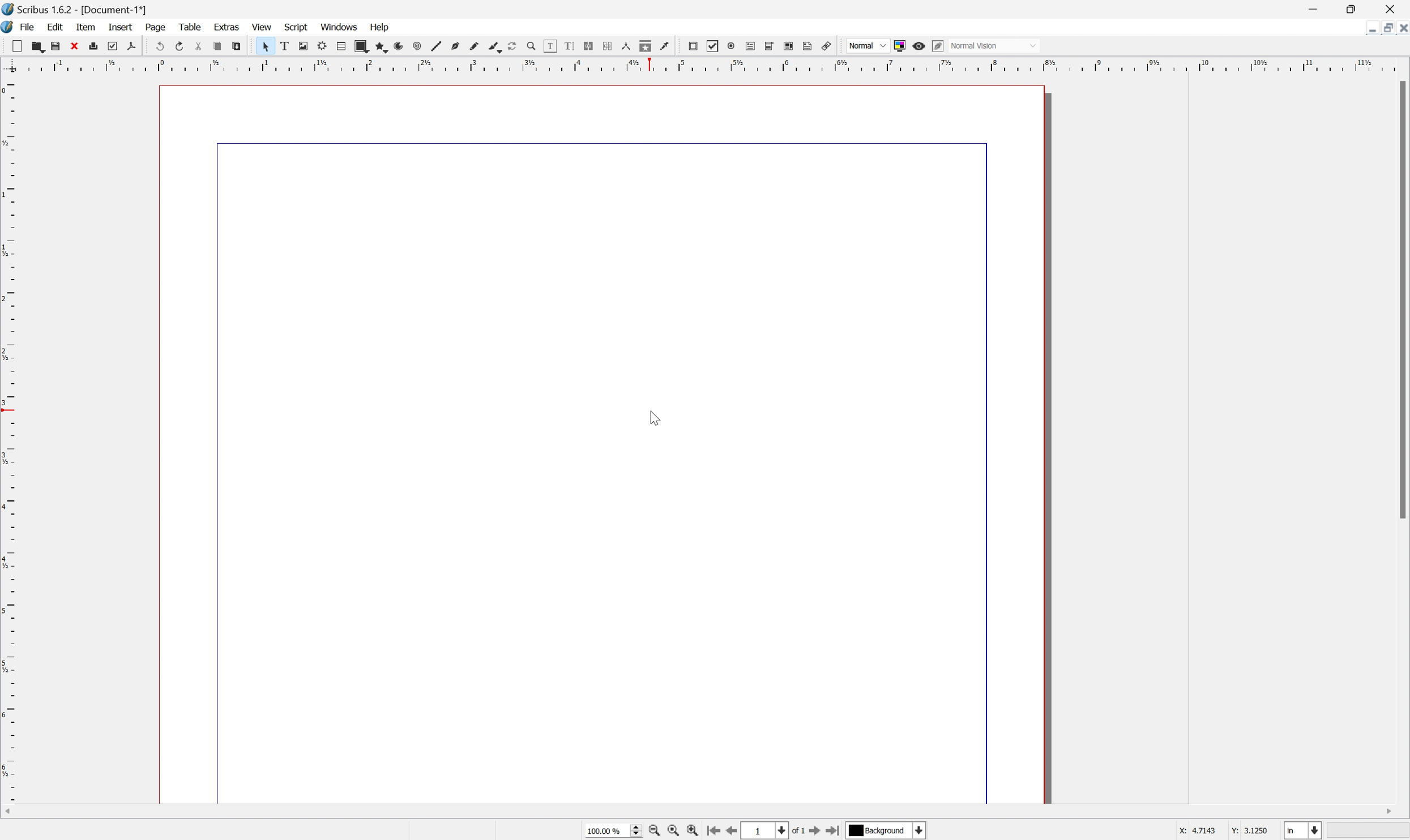  What do you see at coordinates (156, 28) in the screenshot?
I see `page` at bounding box center [156, 28].